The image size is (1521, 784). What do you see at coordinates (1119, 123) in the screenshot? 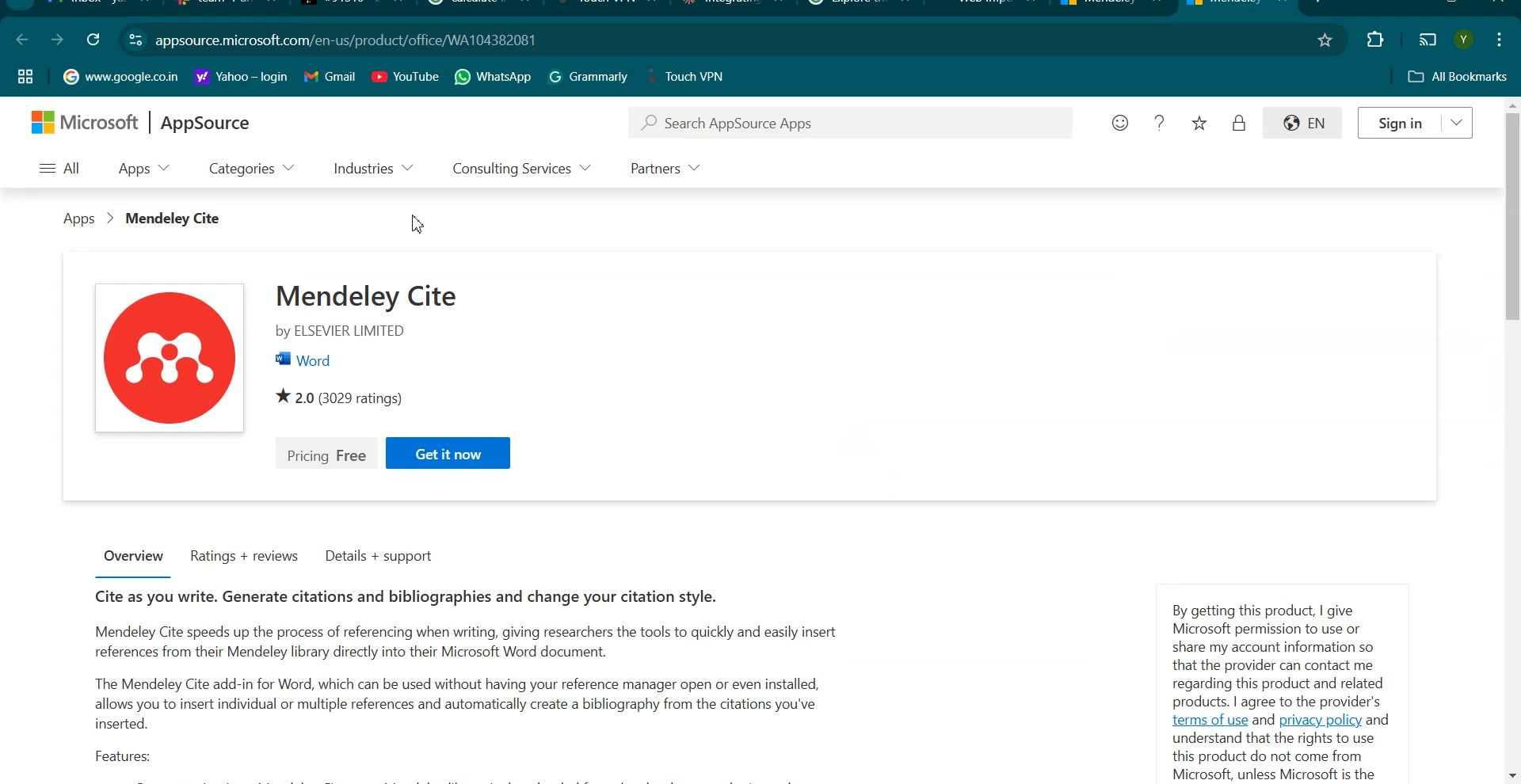
I see `smile Emoji` at bounding box center [1119, 123].